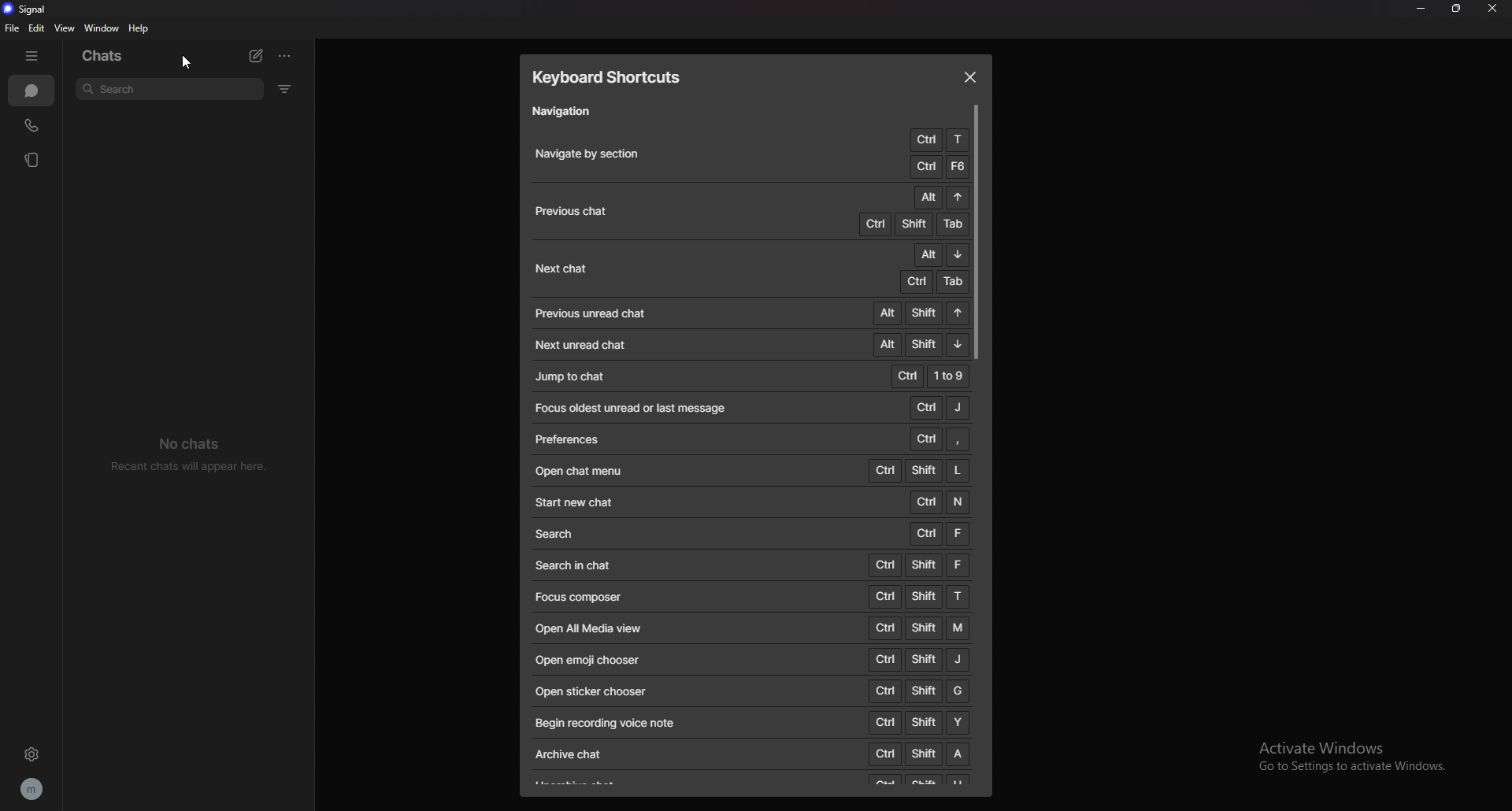 The image size is (1512, 811). What do you see at coordinates (33, 790) in the screenshot?
I see `profile` at bounding box center [33, 790].